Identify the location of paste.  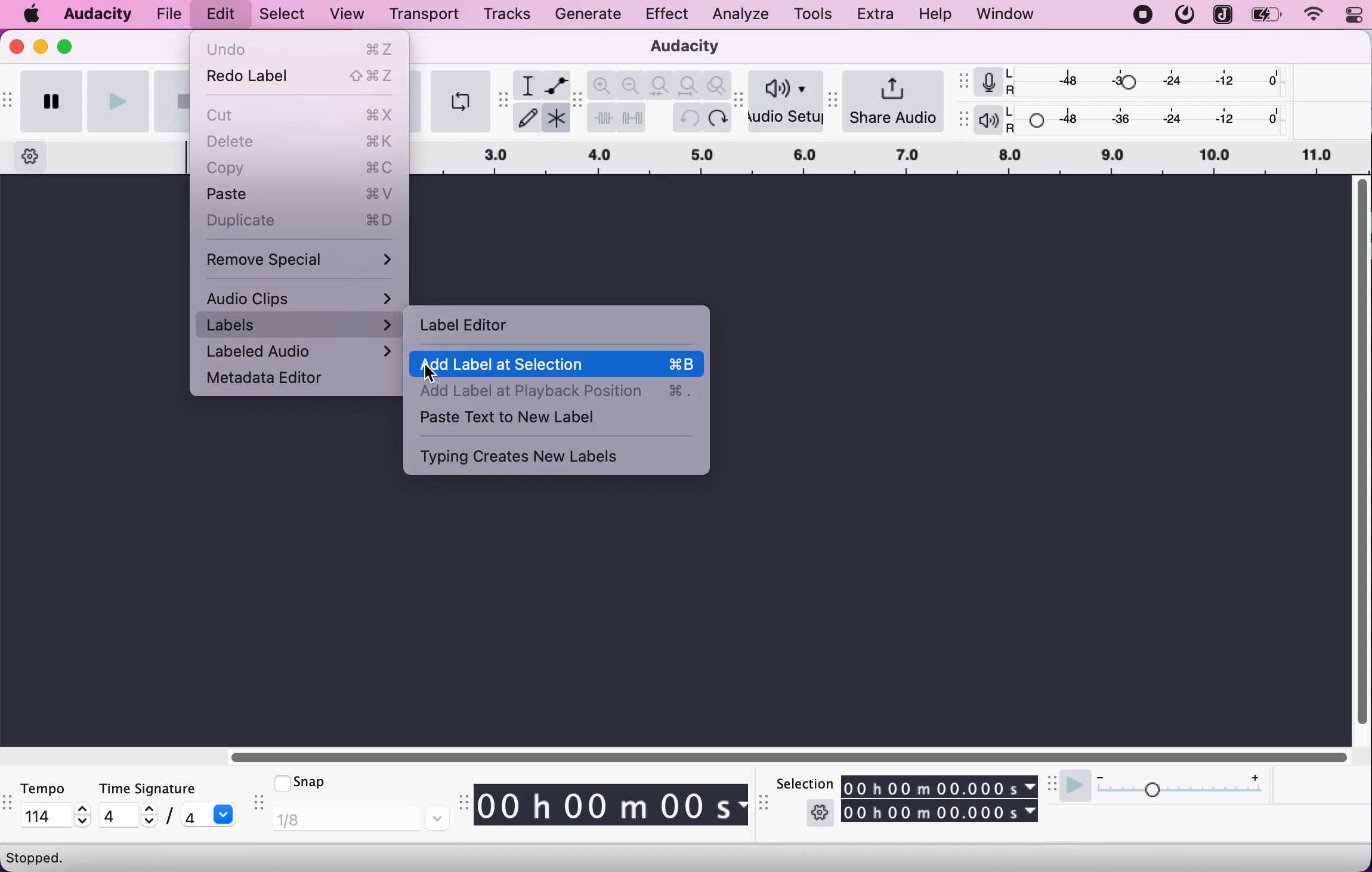
(300, 194).